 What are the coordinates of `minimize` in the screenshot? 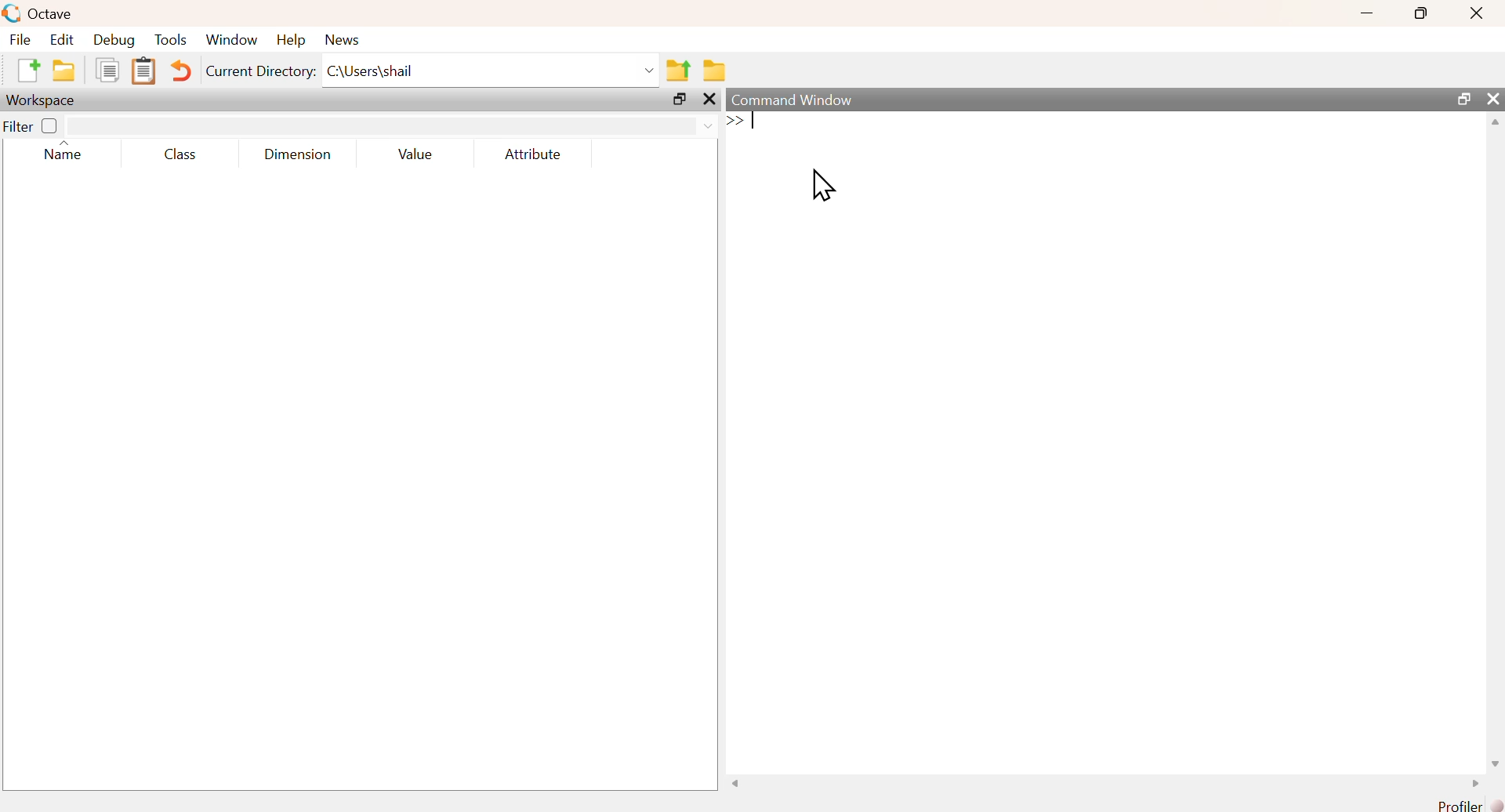 It's located at (1367, 13).